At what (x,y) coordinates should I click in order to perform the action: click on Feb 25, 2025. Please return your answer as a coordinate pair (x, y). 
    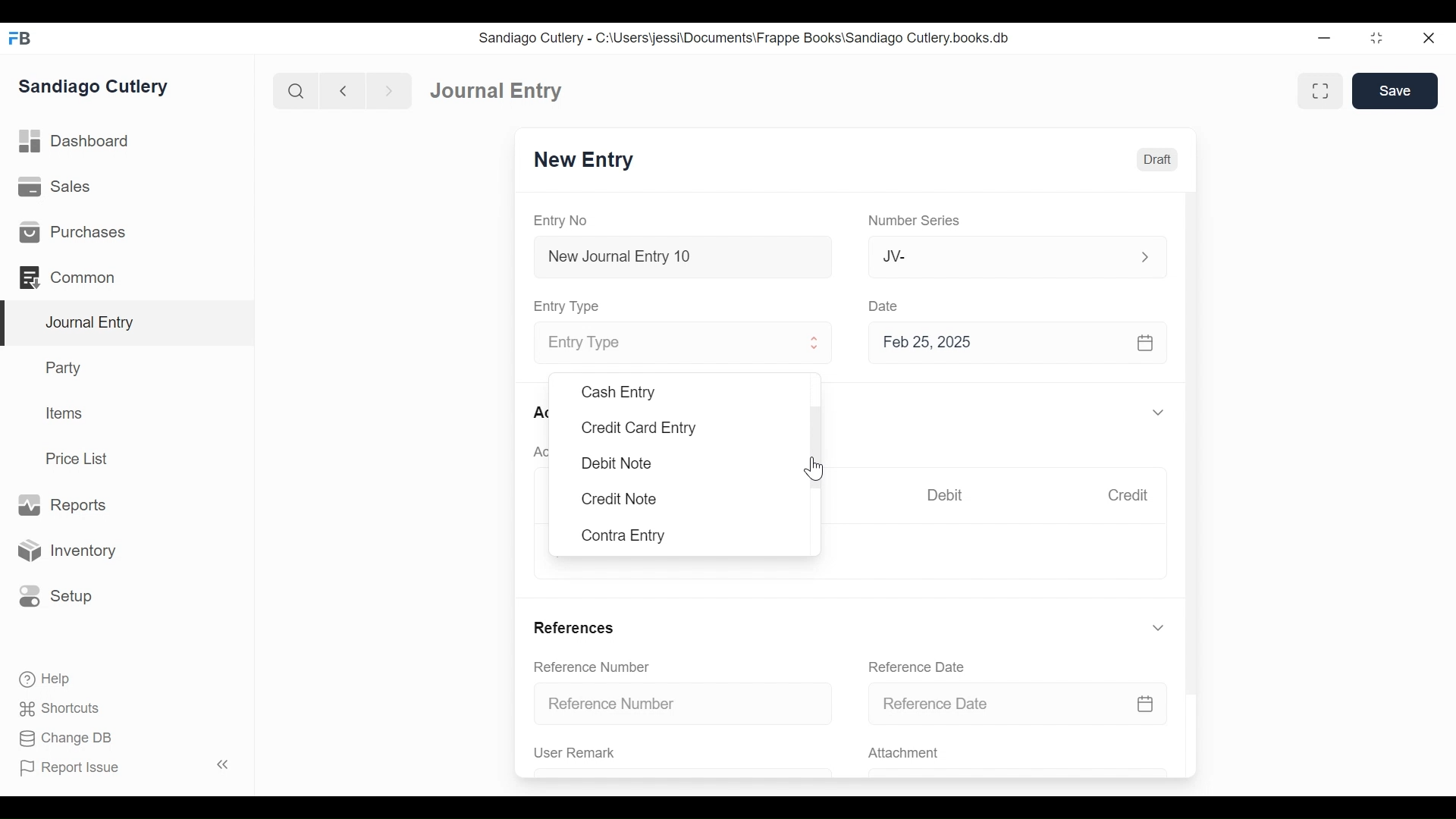
    Looking at the image, I should click on (1019, 346).